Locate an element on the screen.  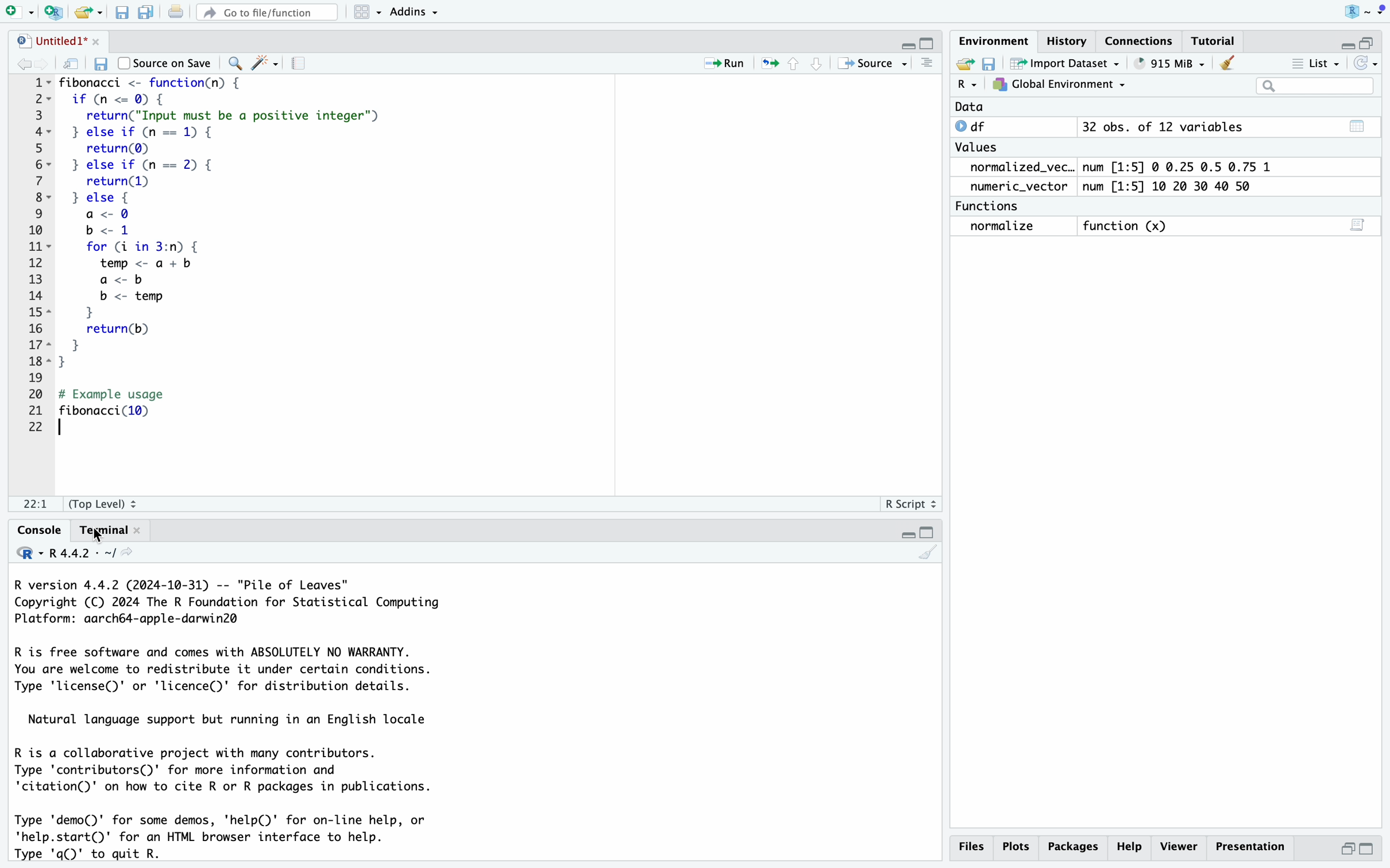
R Script is located at coordinates (911, 505).